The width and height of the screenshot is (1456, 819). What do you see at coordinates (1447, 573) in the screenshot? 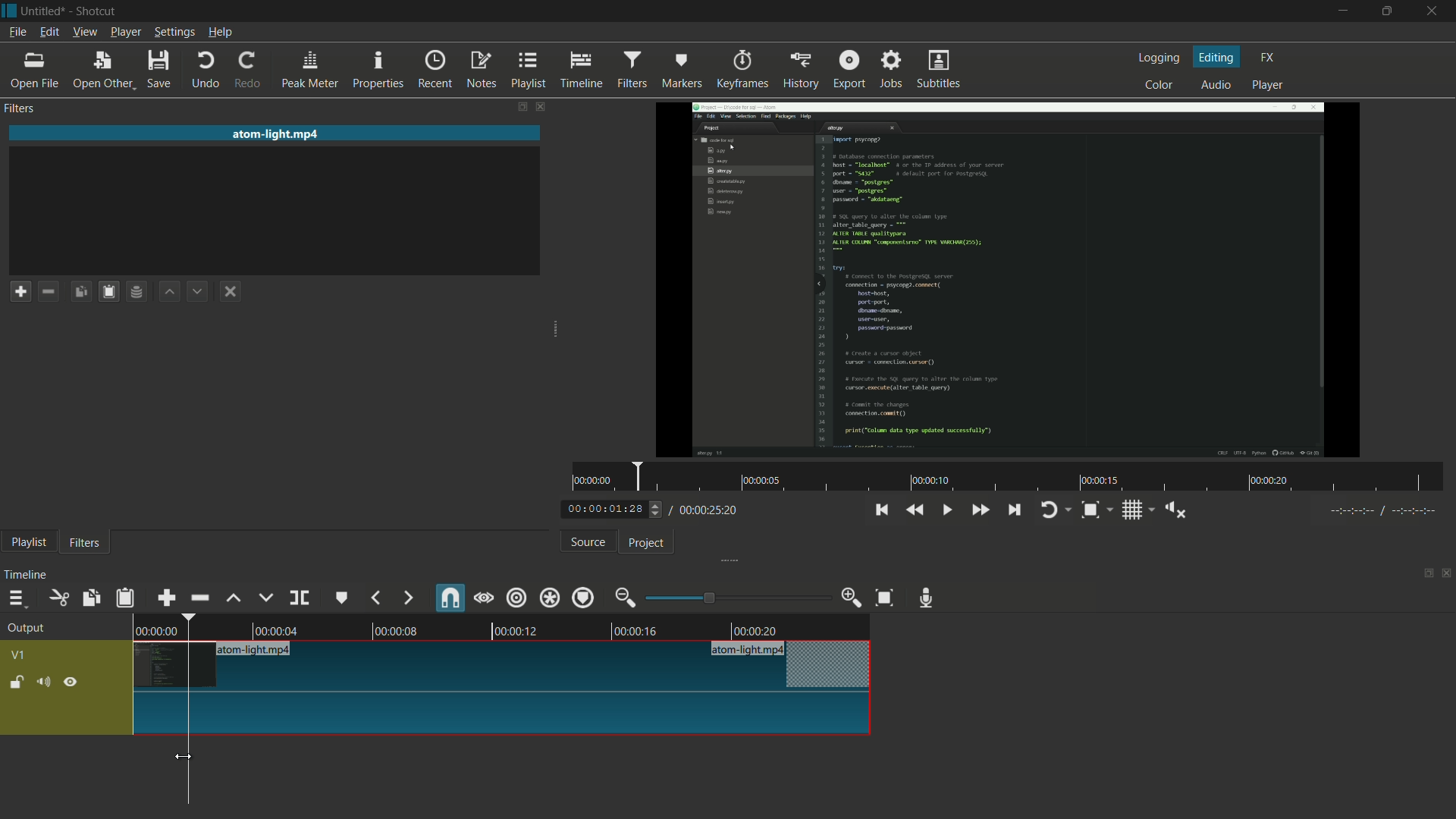
I see `close timeline` at bounding box center [1447, 573].